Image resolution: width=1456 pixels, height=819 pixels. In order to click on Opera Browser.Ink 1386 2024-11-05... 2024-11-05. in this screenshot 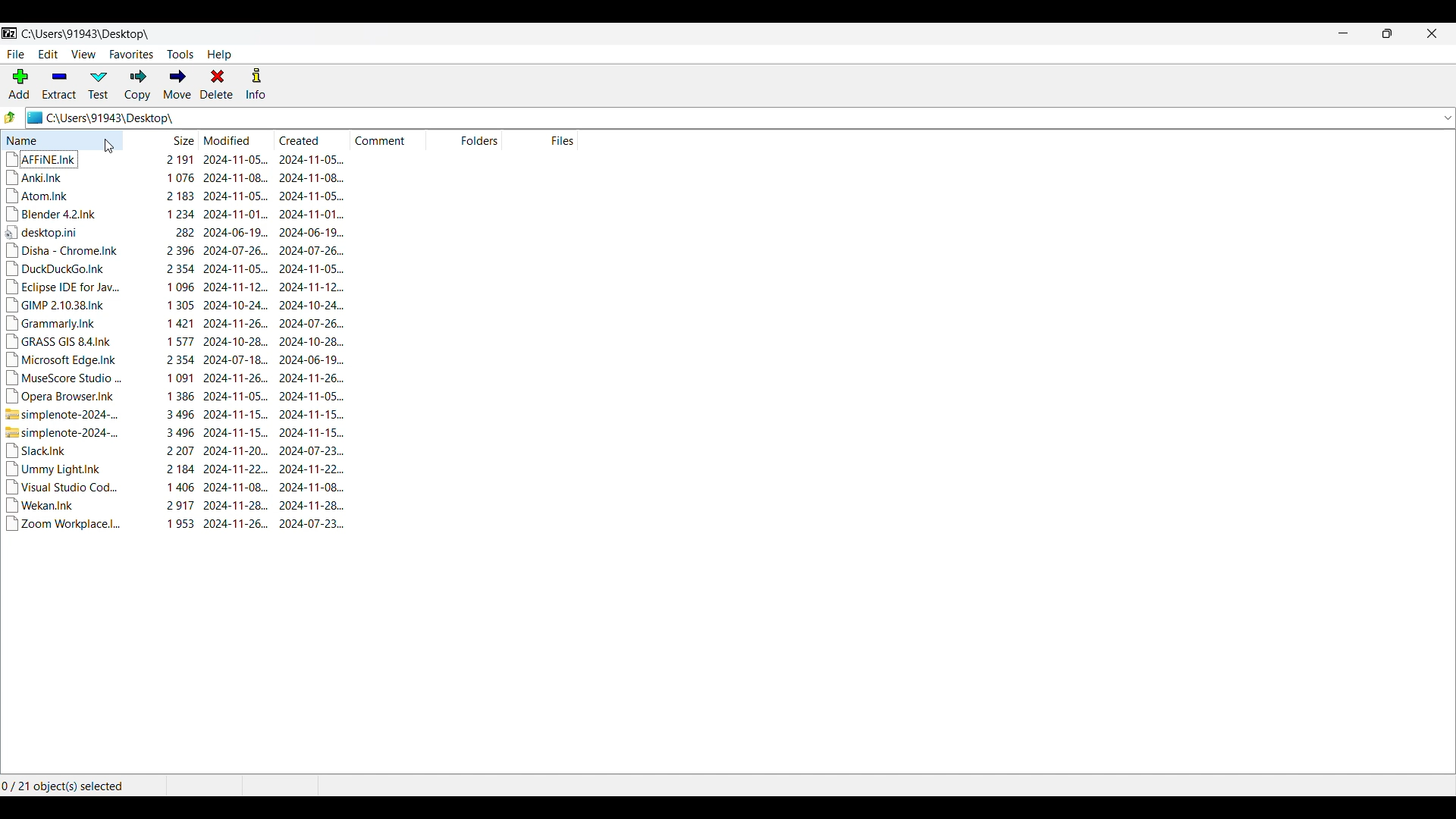, I will do `click(176, 398)`.